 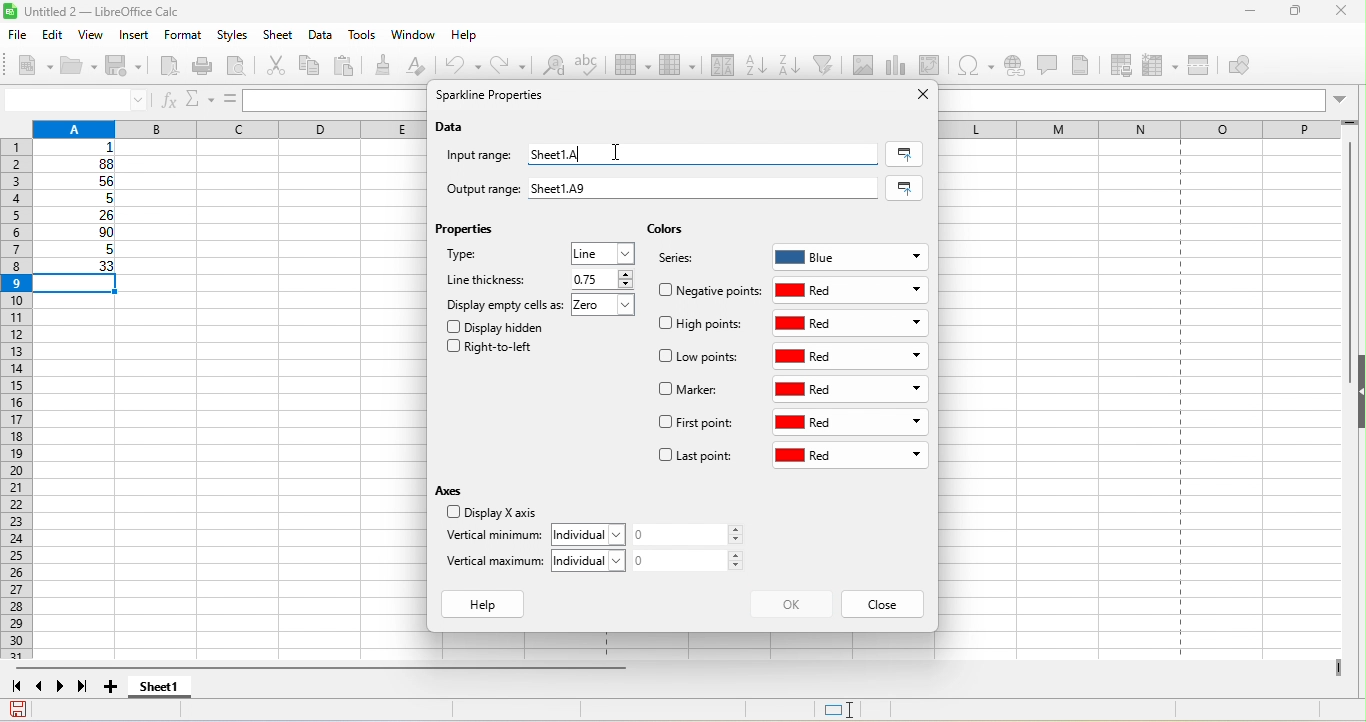 What do you see at coordinates (489, 279) in the screenshot?
I see `line thickness` at bounding box center [489, 279].